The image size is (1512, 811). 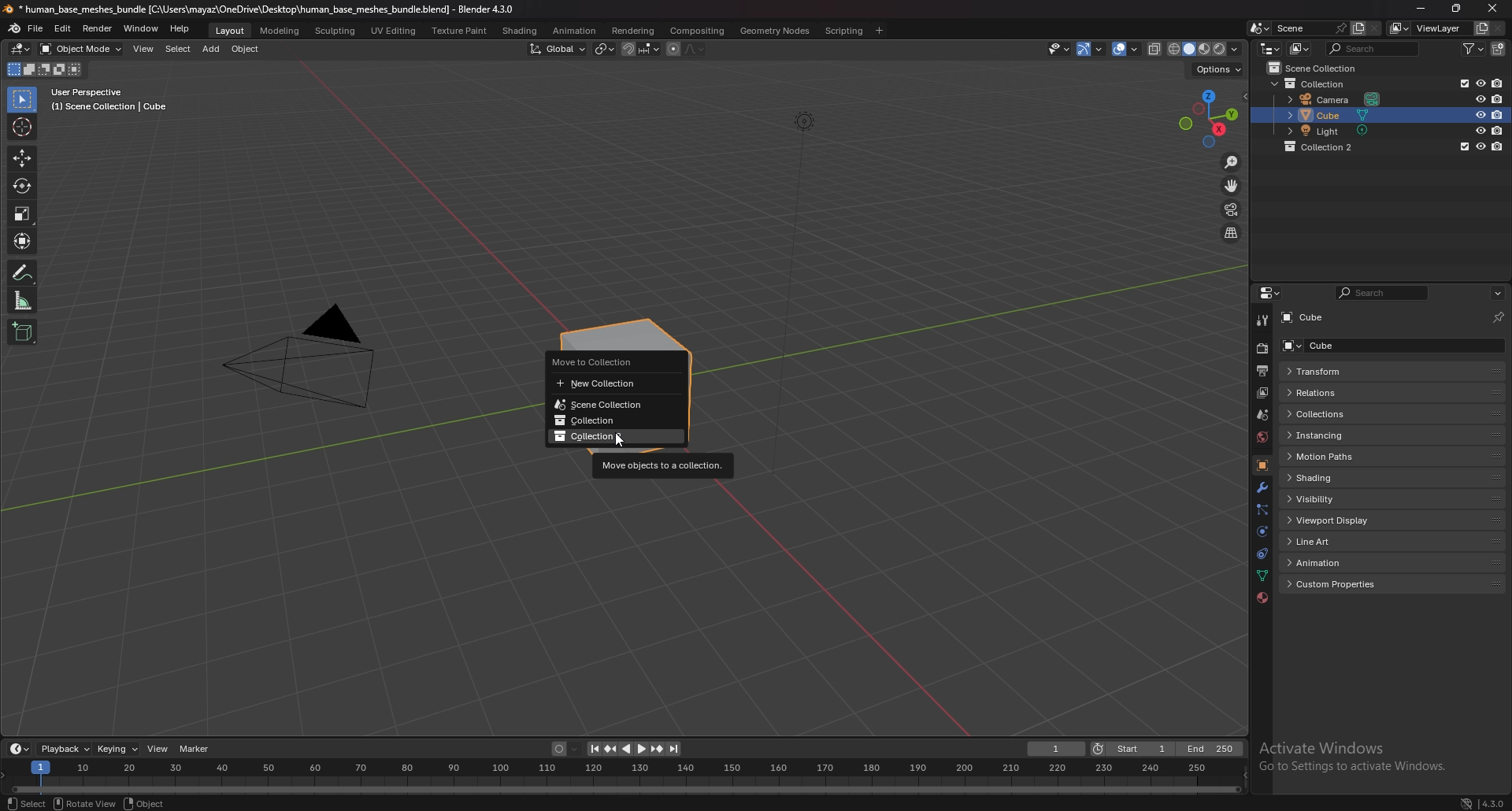 I want to click on shading, so click(x=1343, y=477).